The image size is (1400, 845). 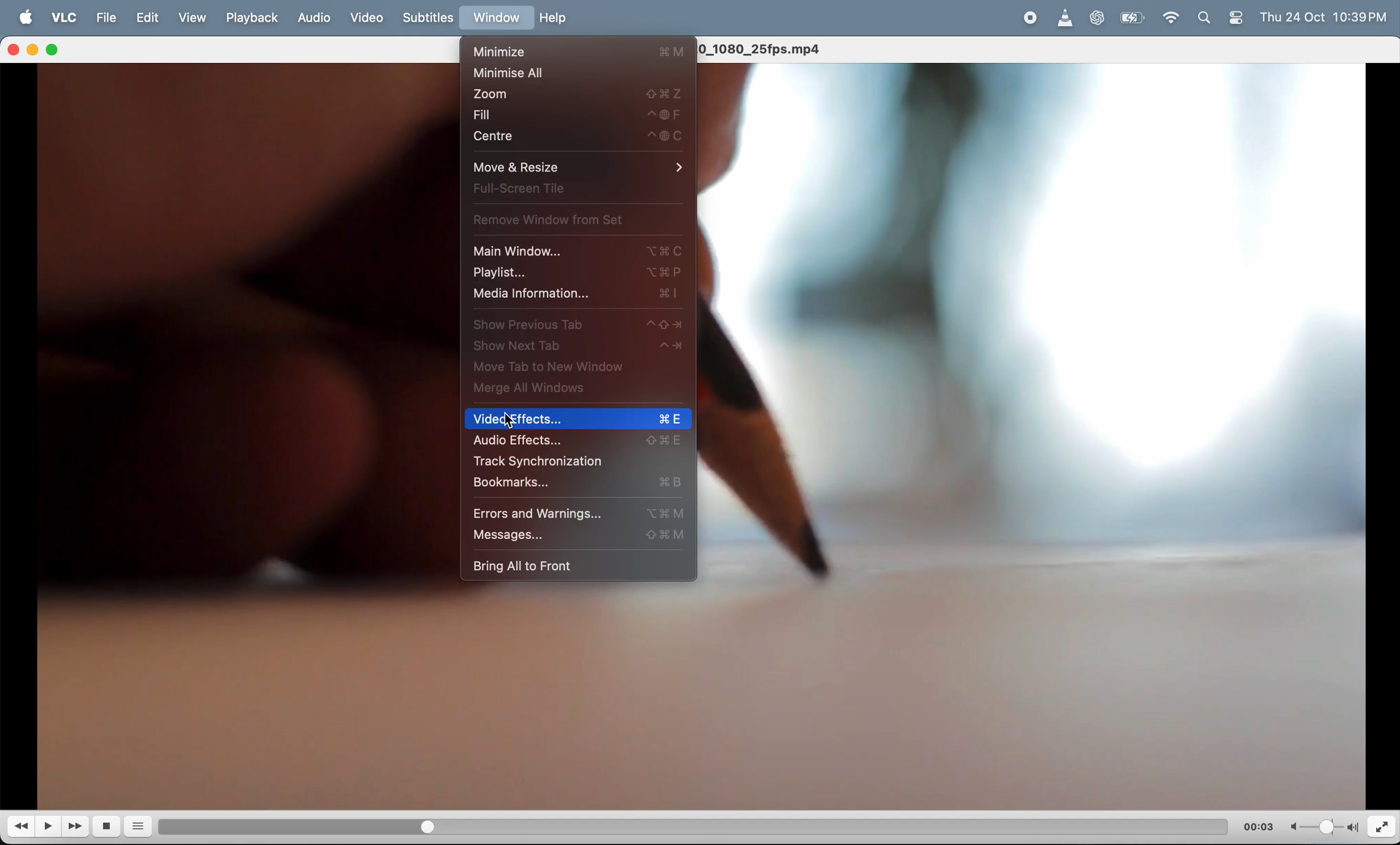 I want to click on stop, so click(x=110, y=827).